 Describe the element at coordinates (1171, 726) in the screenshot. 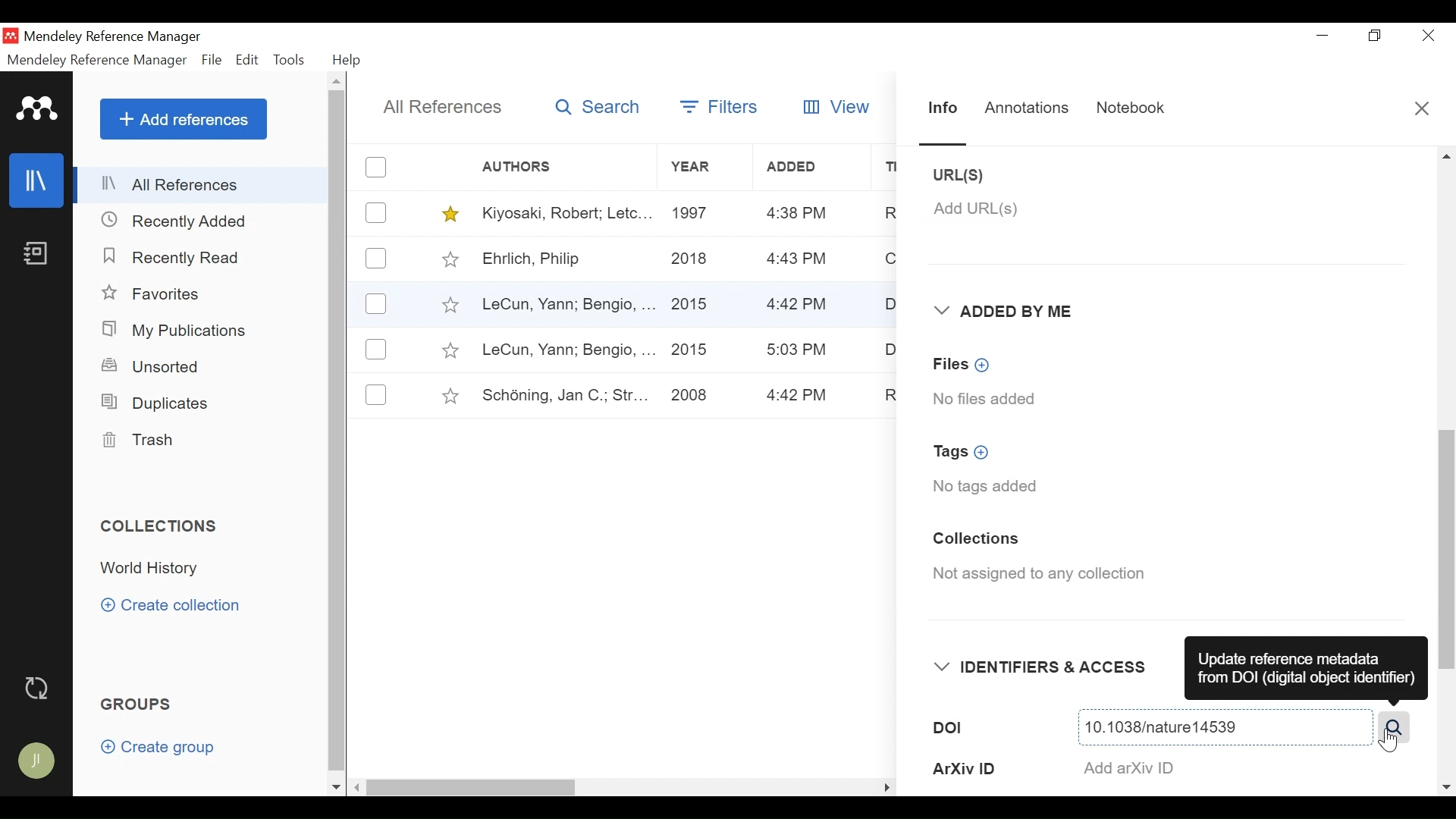

I see `DOI ` at that location.